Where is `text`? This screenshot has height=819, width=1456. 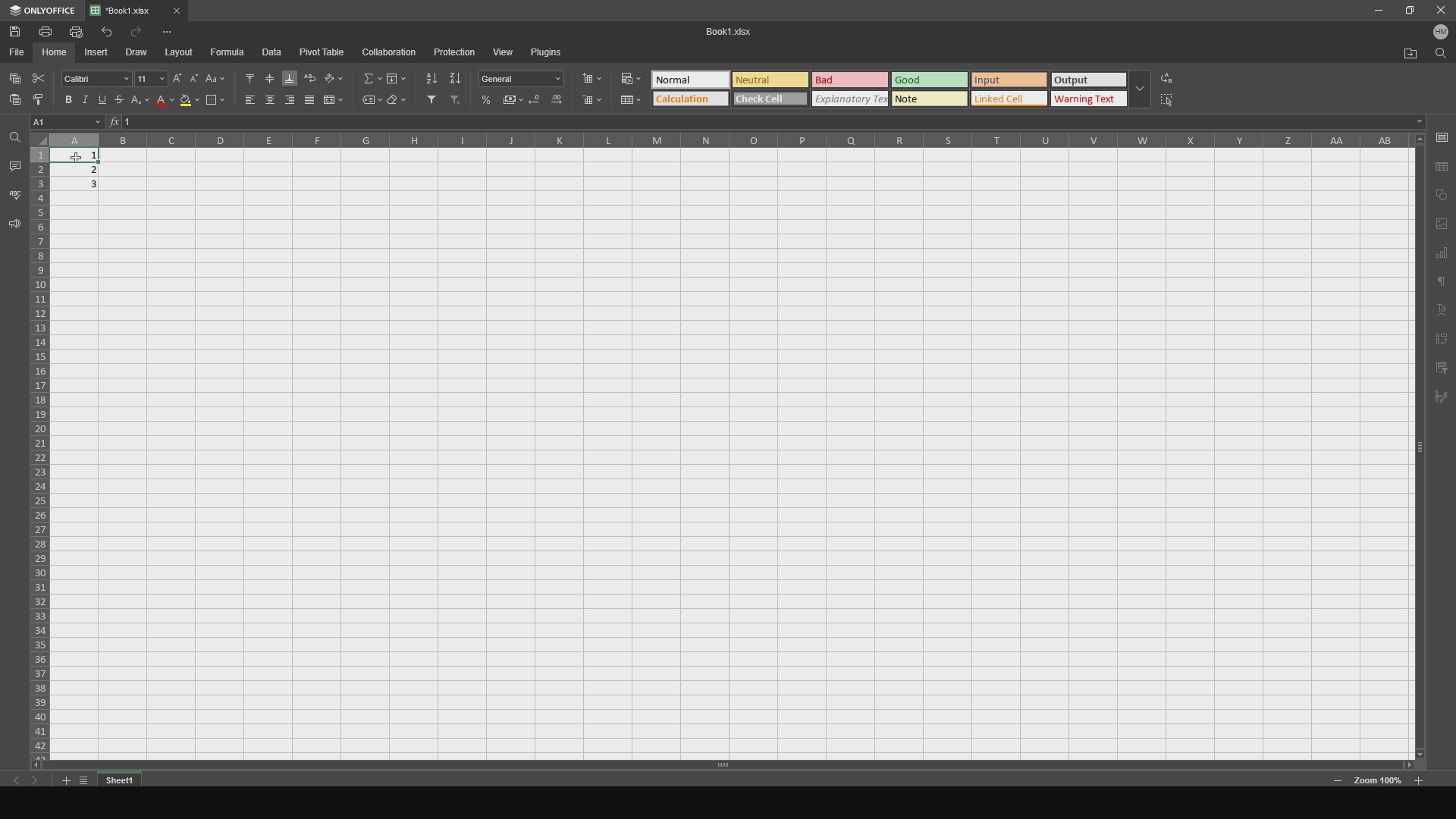 text is located at coordinates (1442, 284).